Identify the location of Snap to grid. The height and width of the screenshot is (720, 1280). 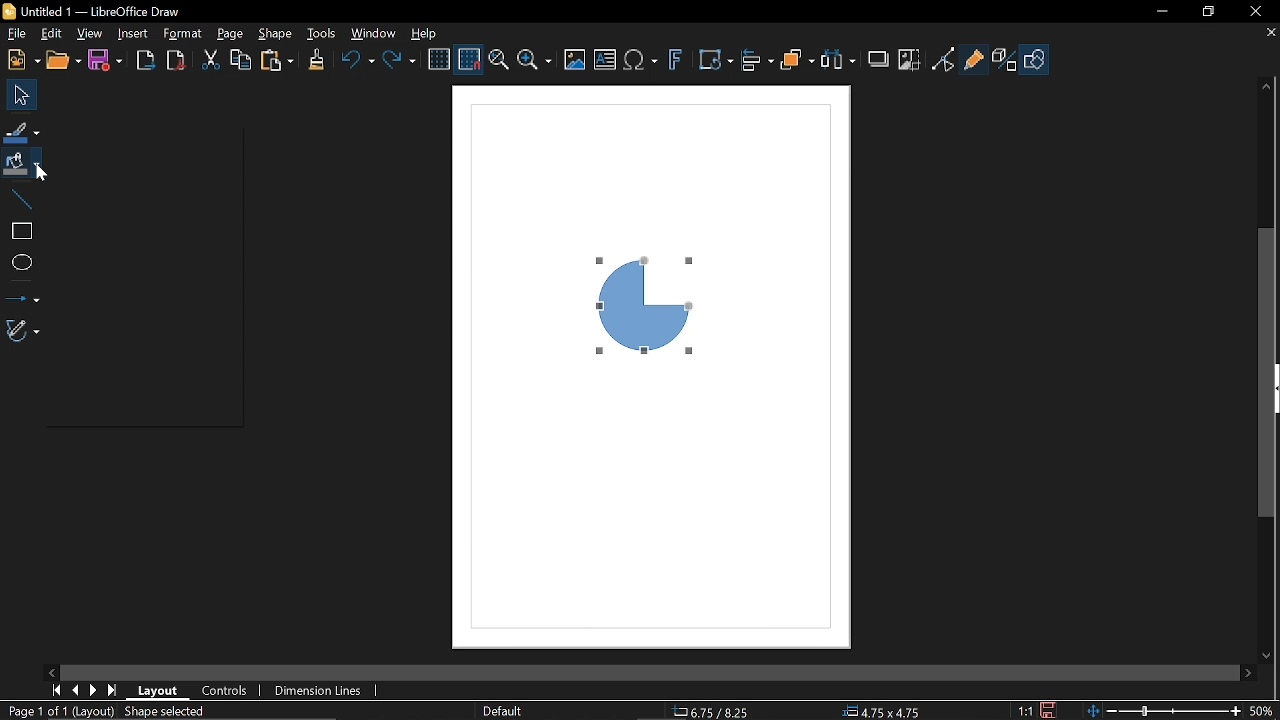
(470, 61).